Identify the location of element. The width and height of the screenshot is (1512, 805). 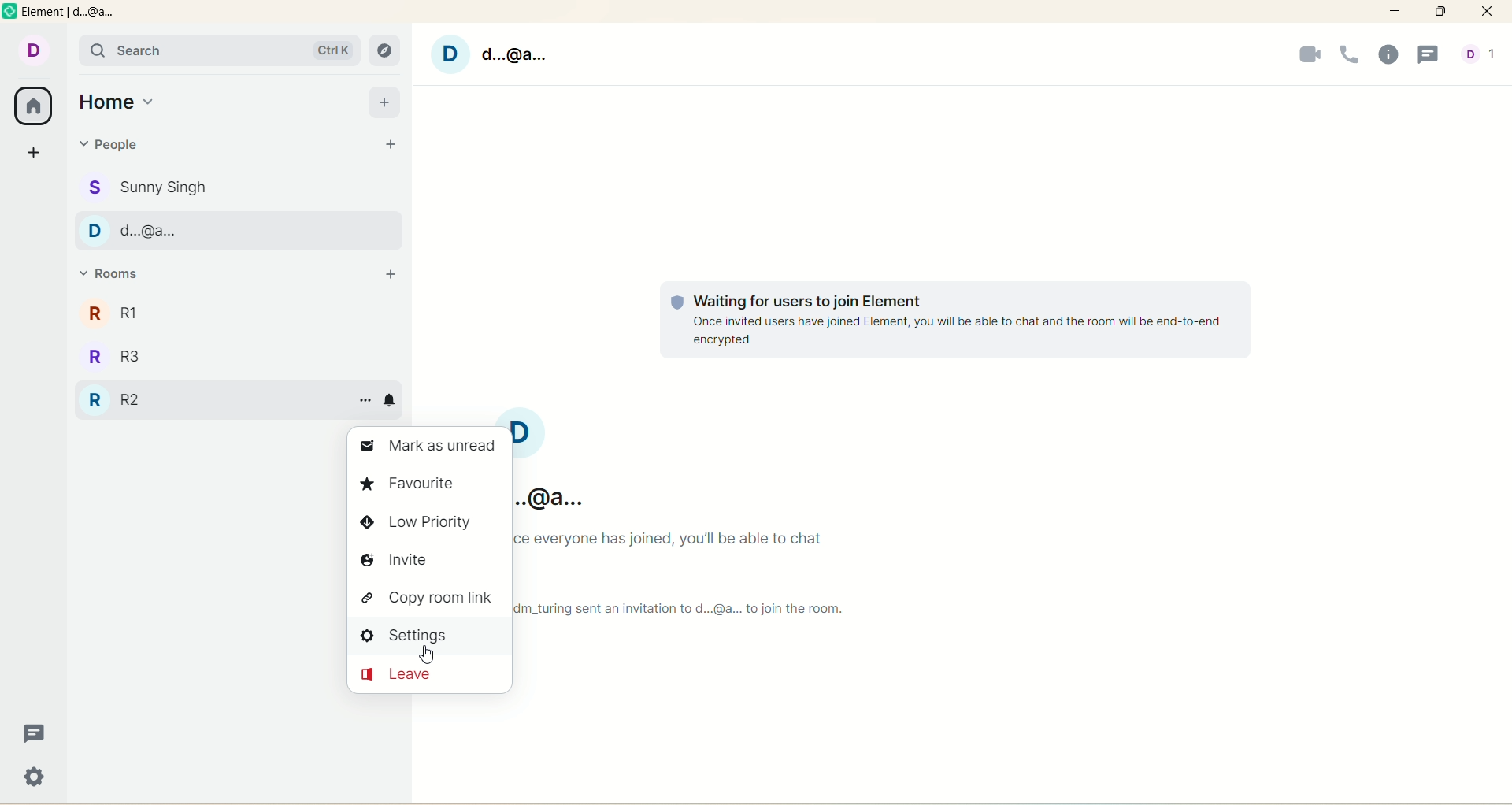
(81, 14).